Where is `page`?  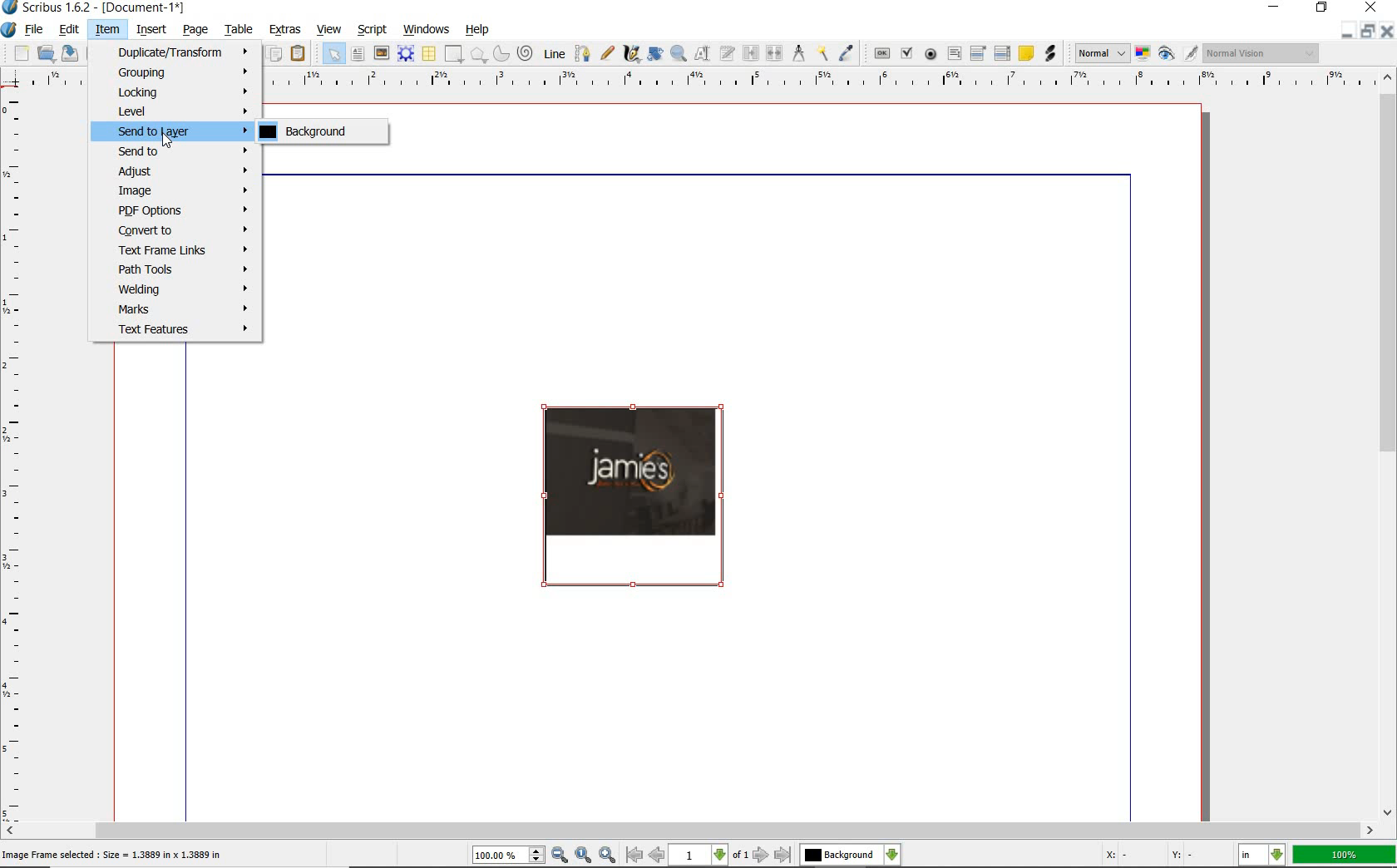
page is located at coordinates (196, 30).